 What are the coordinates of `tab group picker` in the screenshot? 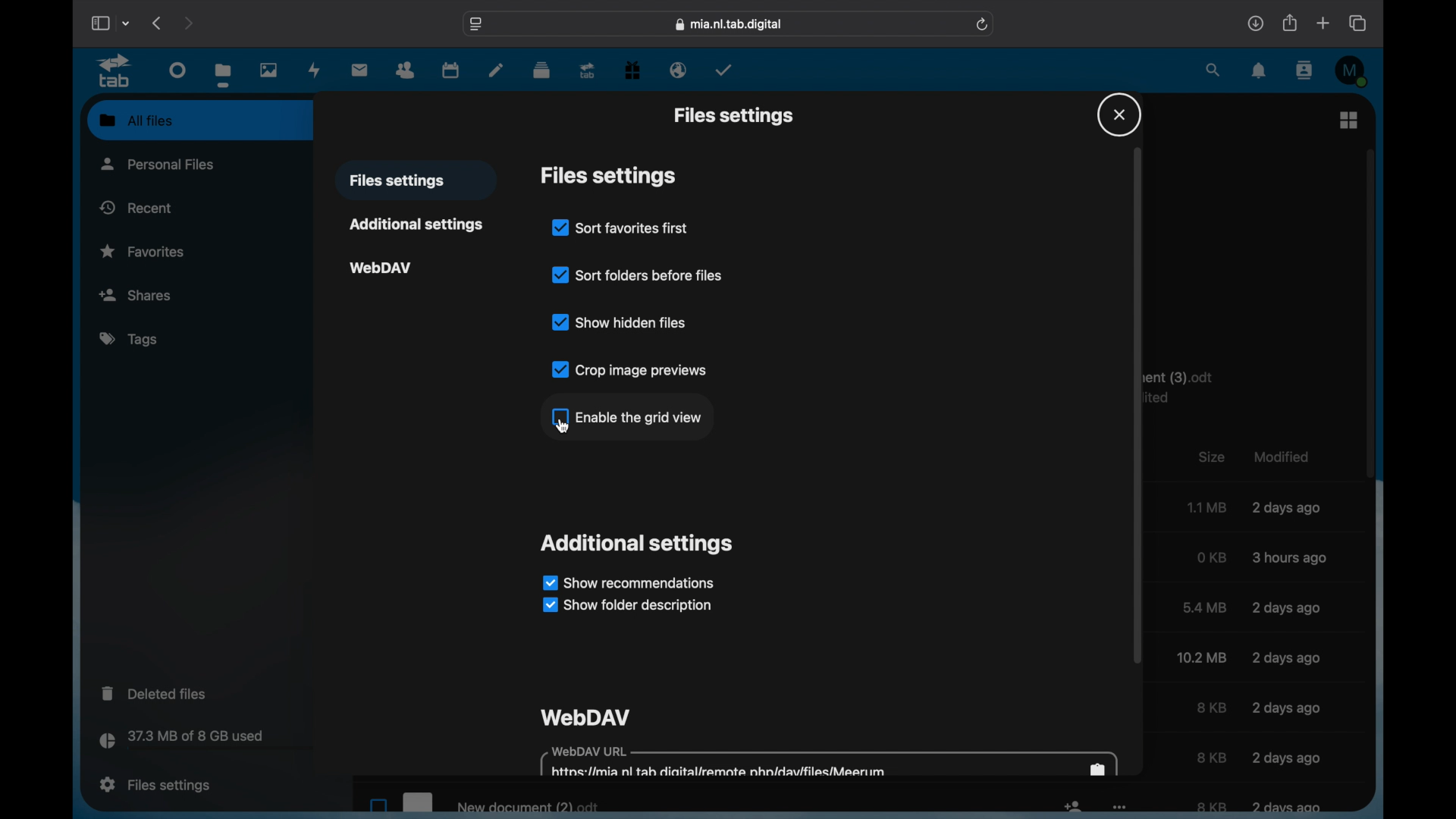 It's located at (126, 23).